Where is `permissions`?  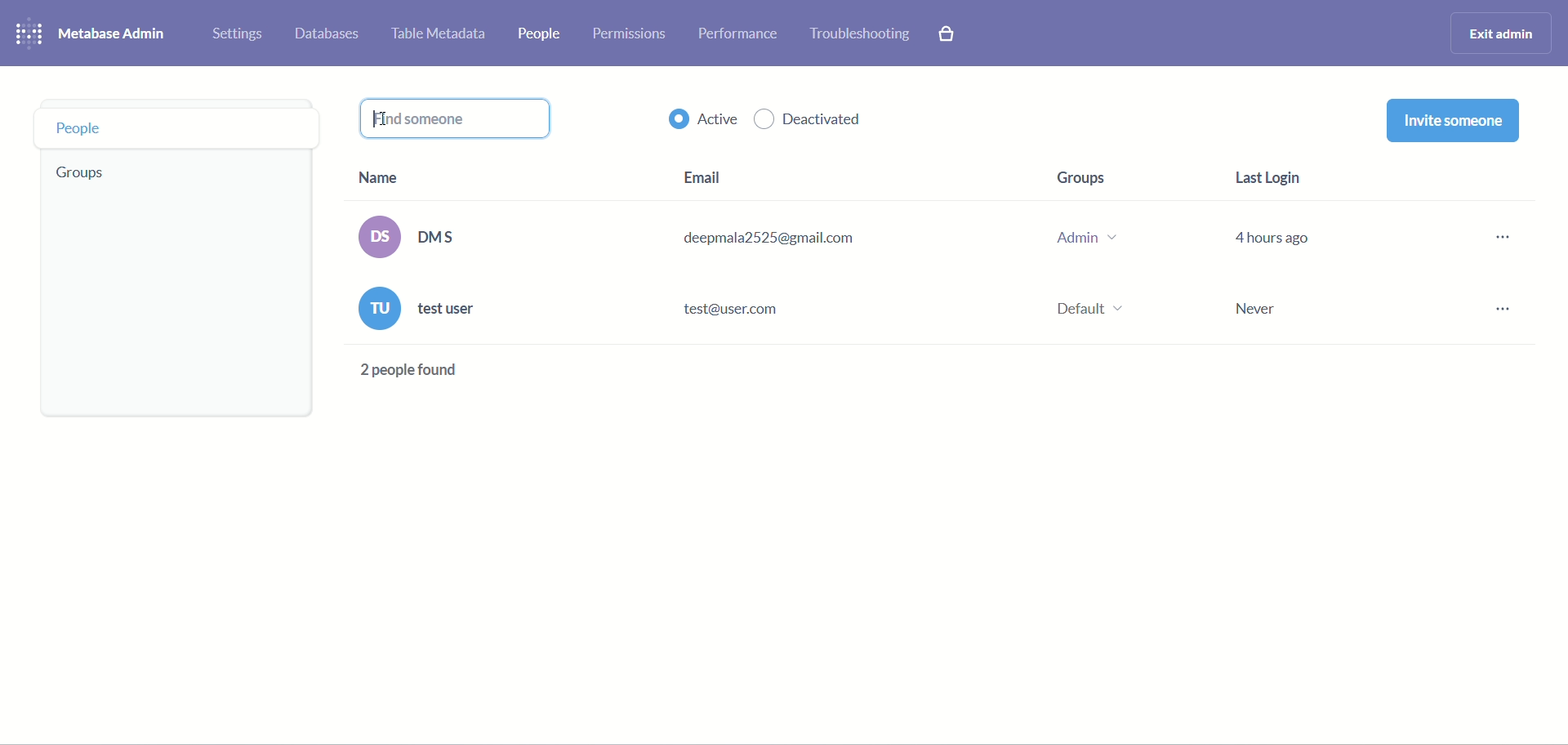 permissions is located at coordinates (631, 33).